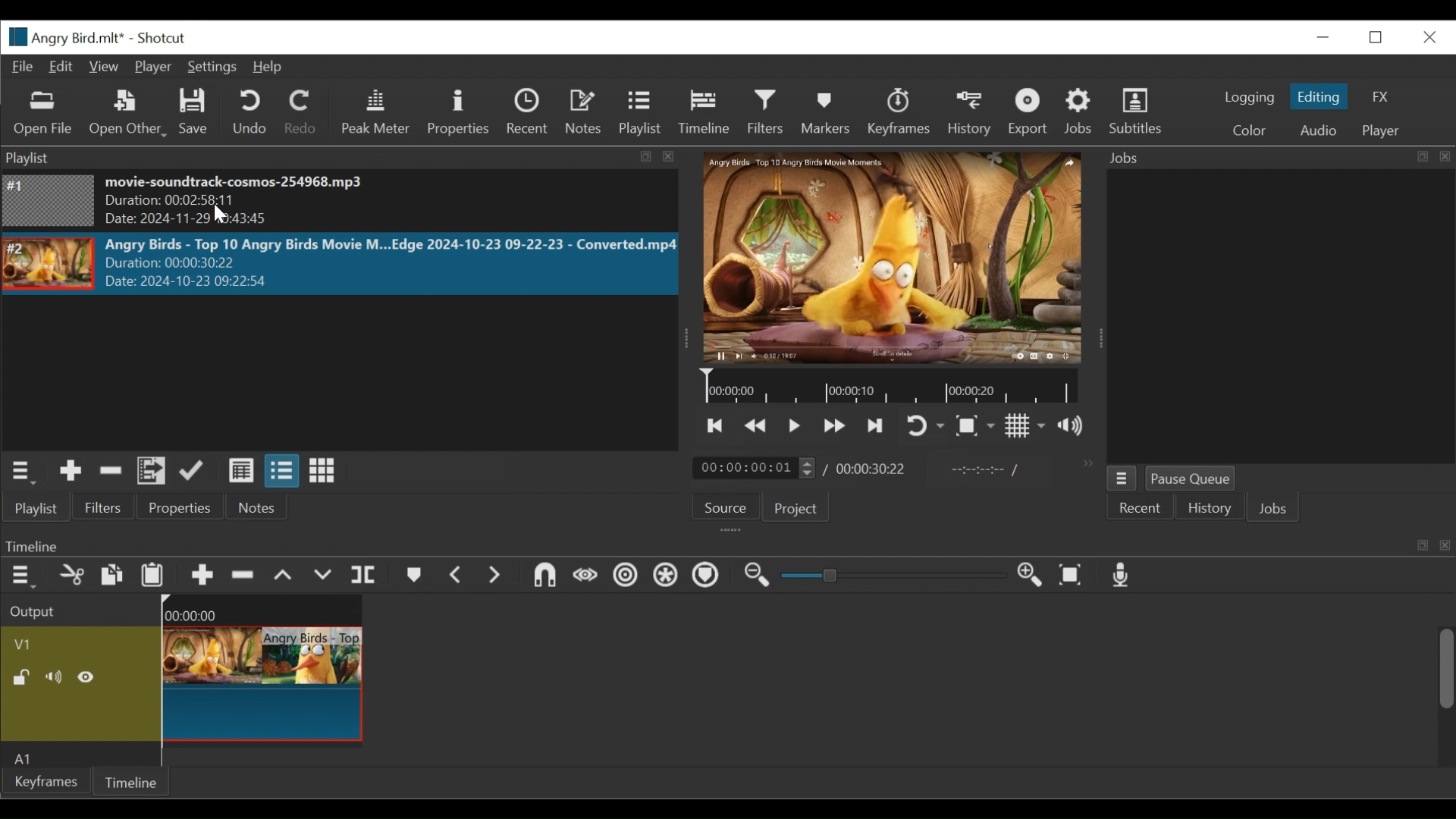 This screenshot has width=1456, height=819. Describe the element at coordinates (1382, 99) in the screenshot. I see `FX` at that location.